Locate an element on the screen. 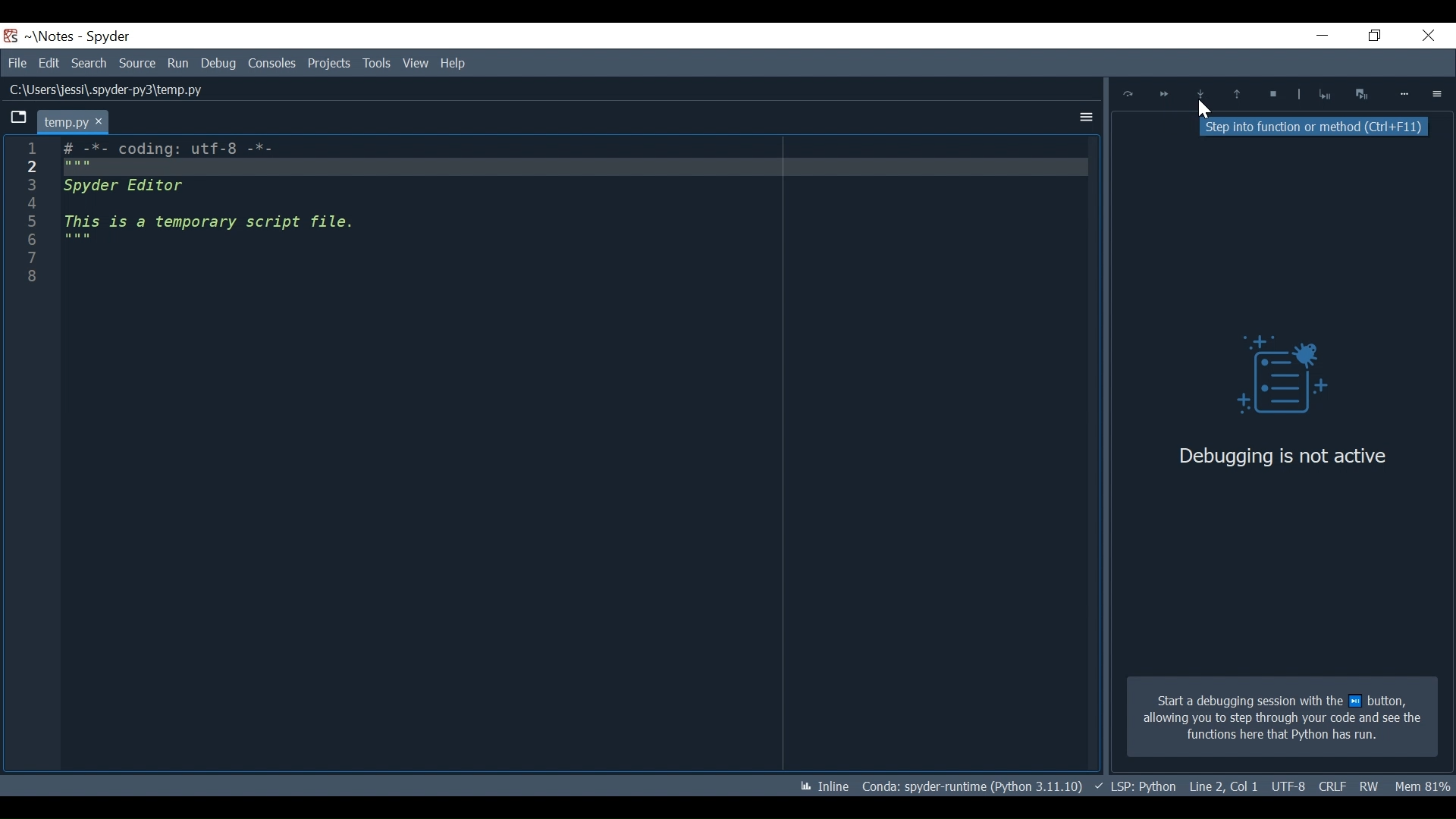 This screenshot has width=1456, height=819. Step into function or method is located at coordinates (1200, 96).